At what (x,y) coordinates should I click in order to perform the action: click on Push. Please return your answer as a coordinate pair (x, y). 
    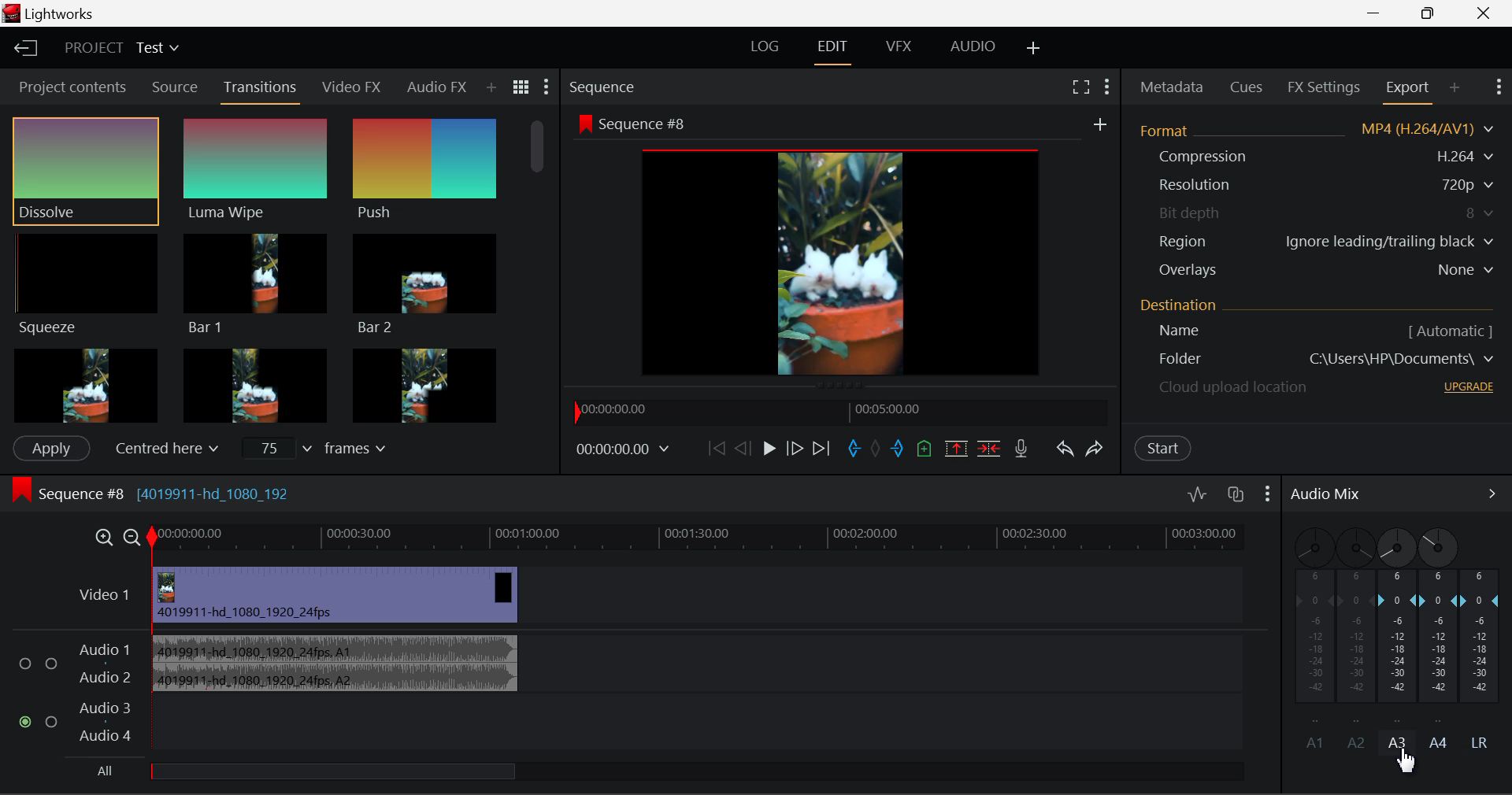
    Looking at the image, I should click on (424, 170).